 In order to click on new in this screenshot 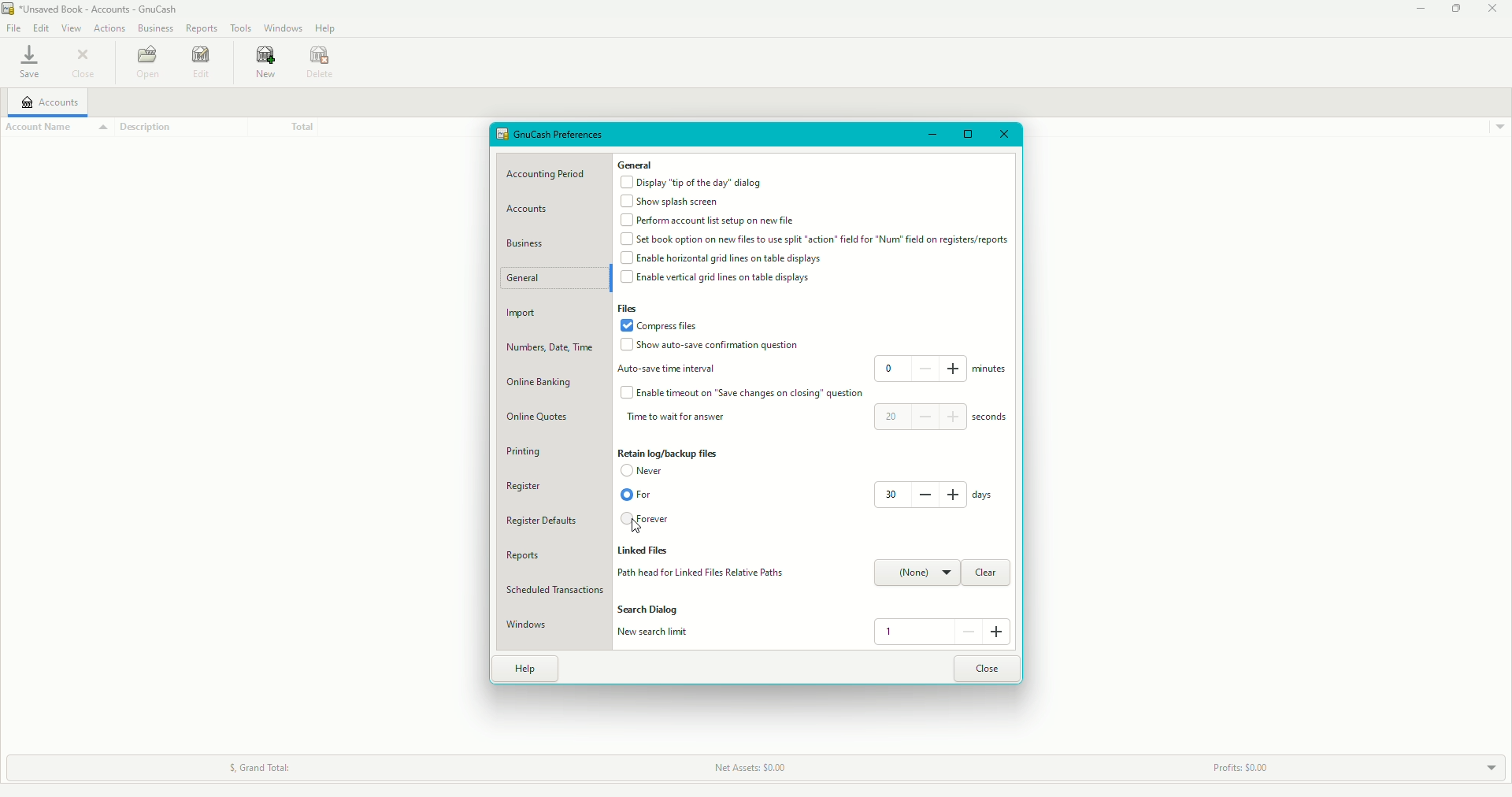, I will do `click(261, 65)`.